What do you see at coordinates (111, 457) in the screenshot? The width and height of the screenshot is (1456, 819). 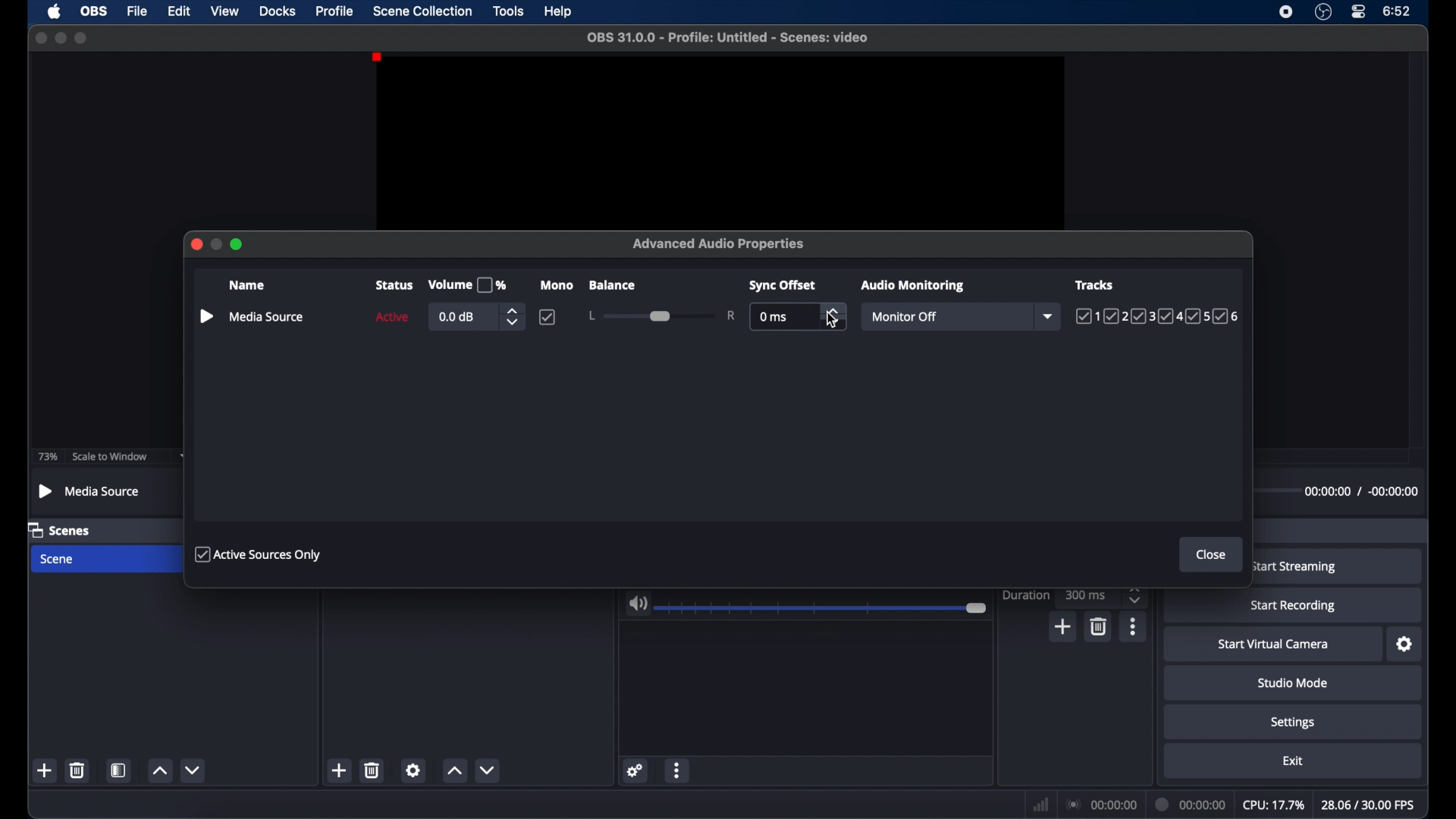 I see `scale to window` at bounding box center [111, 457].